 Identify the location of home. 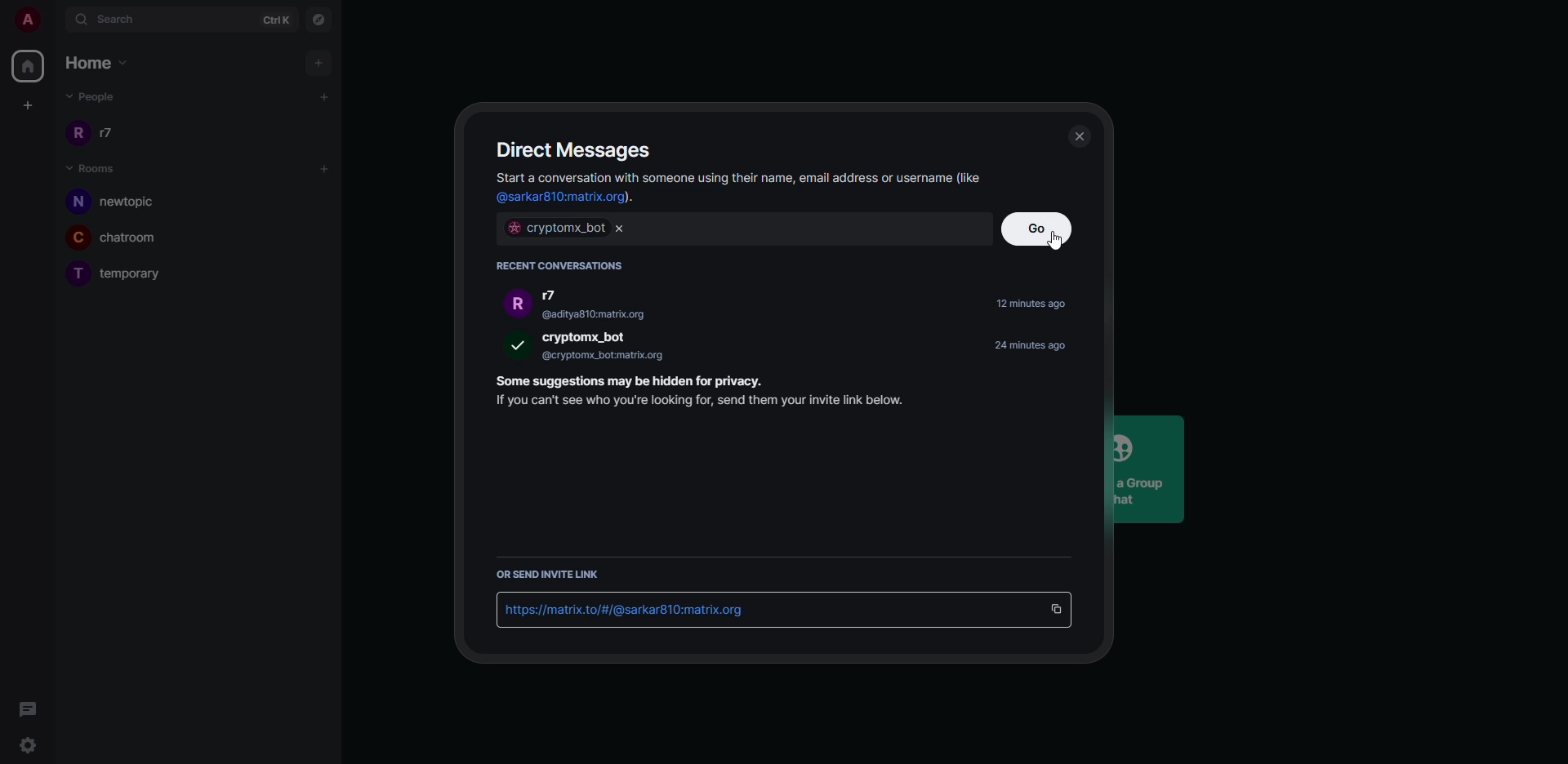
(28, 67).